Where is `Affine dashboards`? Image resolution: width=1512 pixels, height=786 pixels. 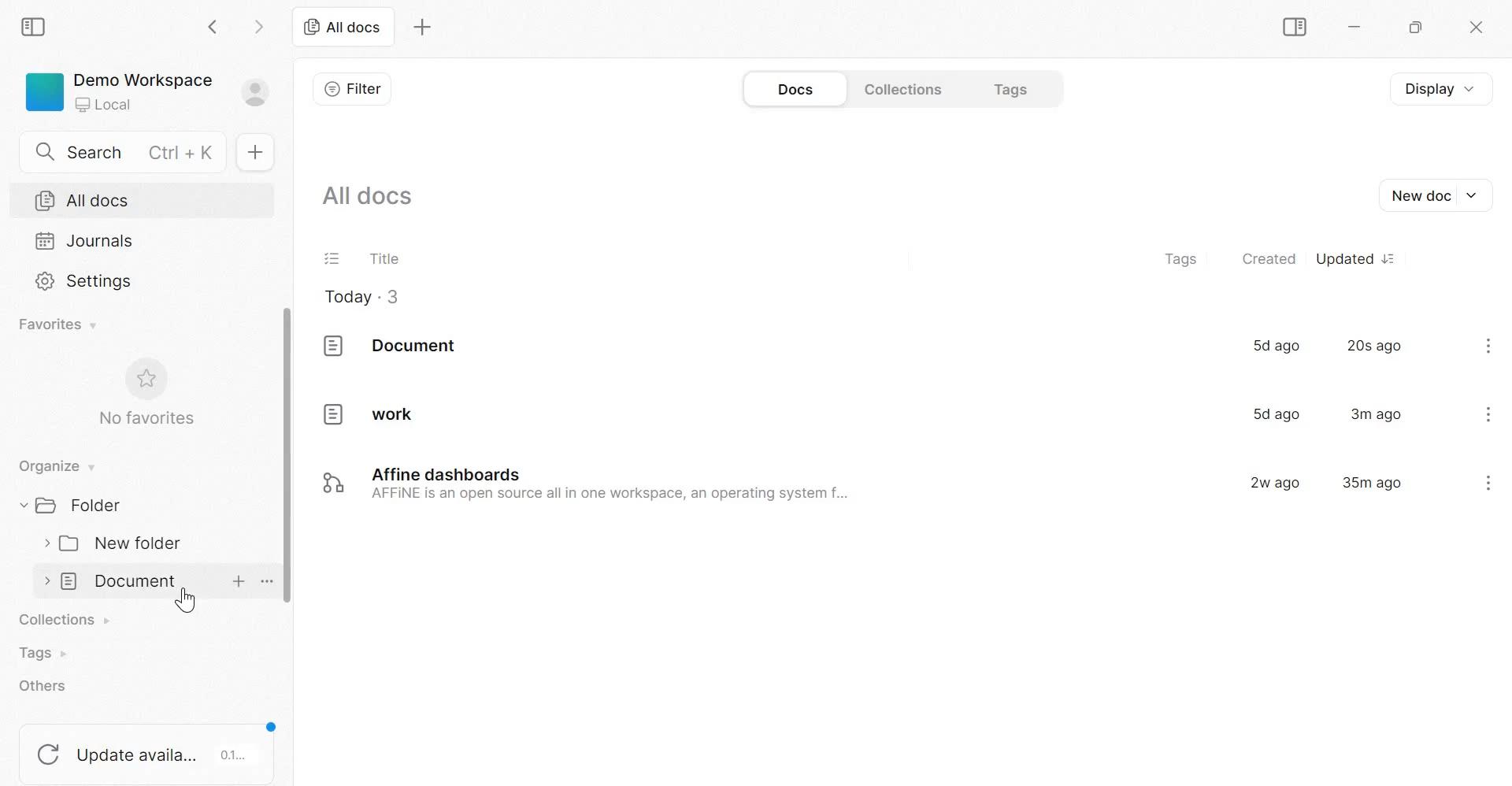 Affine dashboards is located at coordinates (615, 484).